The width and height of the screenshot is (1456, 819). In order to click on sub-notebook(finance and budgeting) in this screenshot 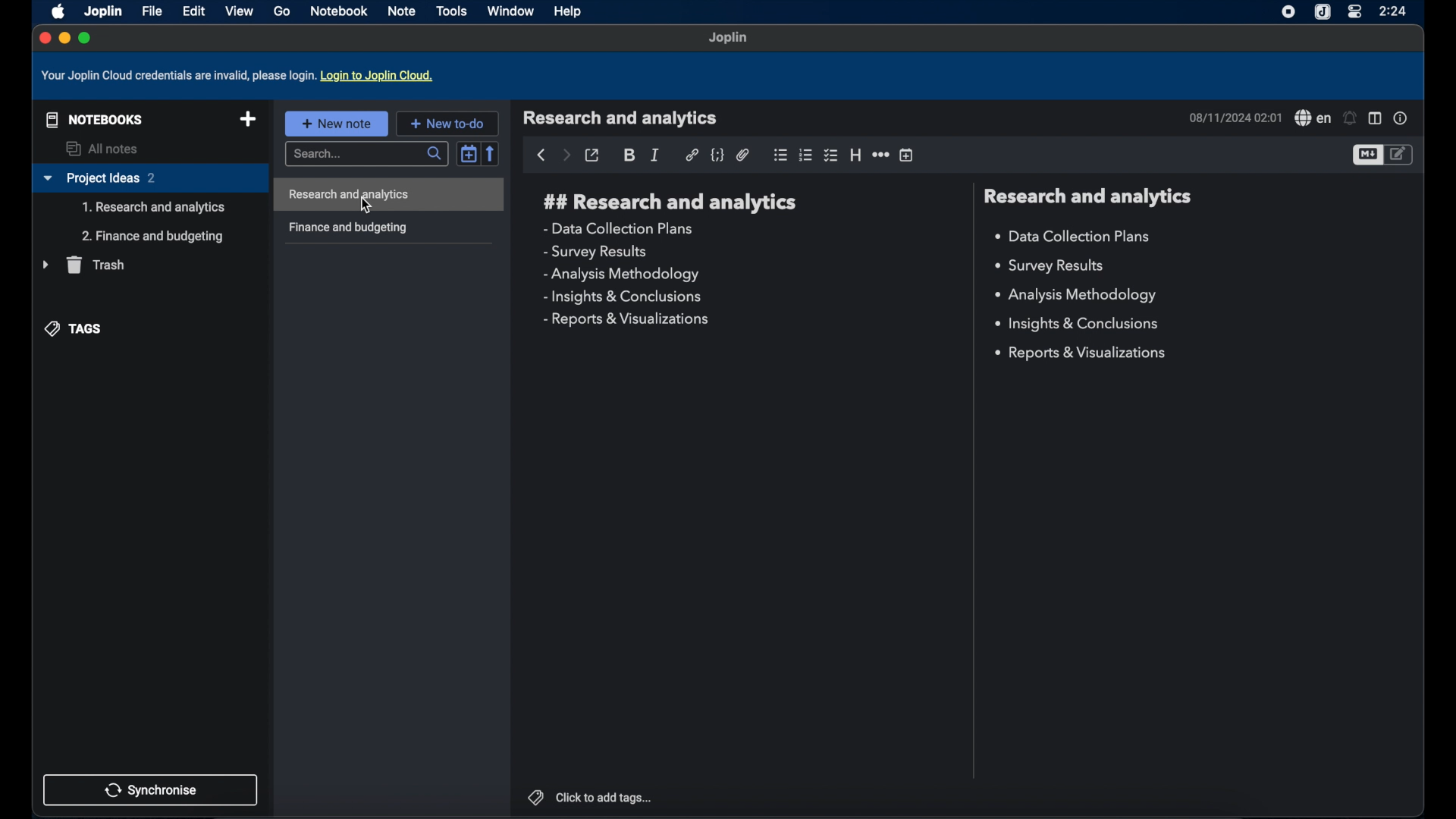, I will do `click(152, 237)`.